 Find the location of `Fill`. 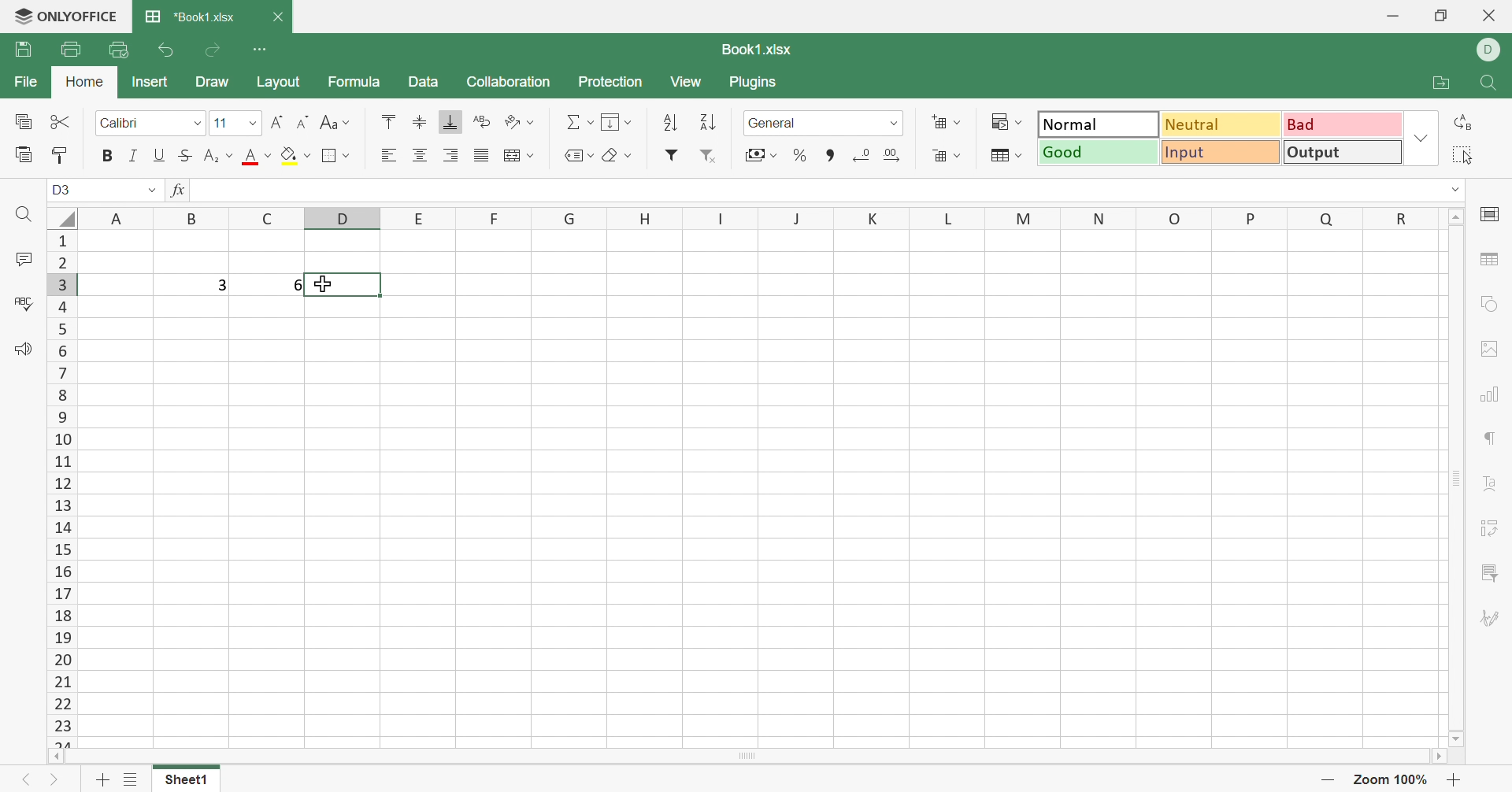

Fill is located at coordinates (618, 124).